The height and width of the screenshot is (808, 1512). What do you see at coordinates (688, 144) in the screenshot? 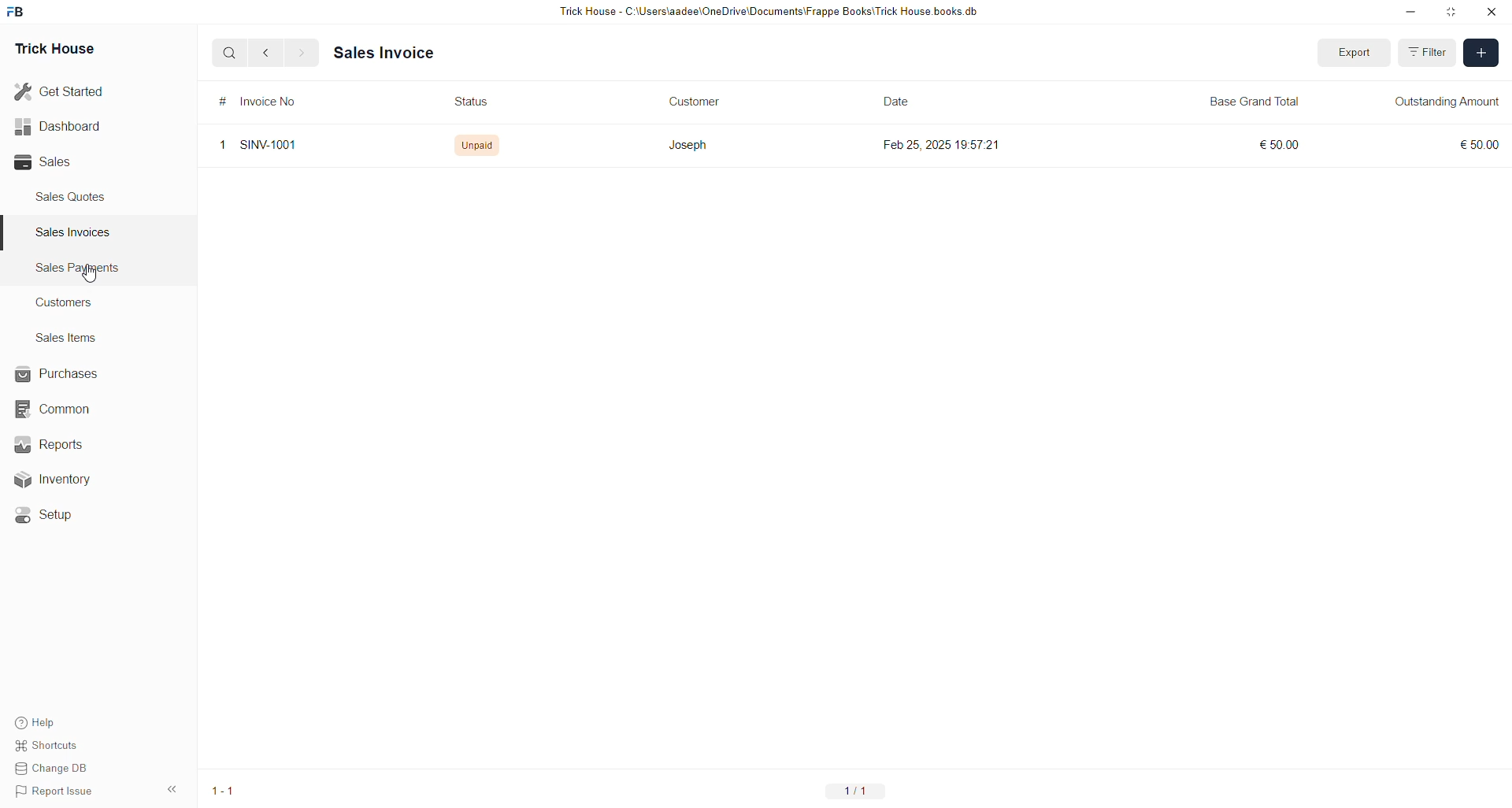
I see `Joseph` at bounding box center [688, 144].